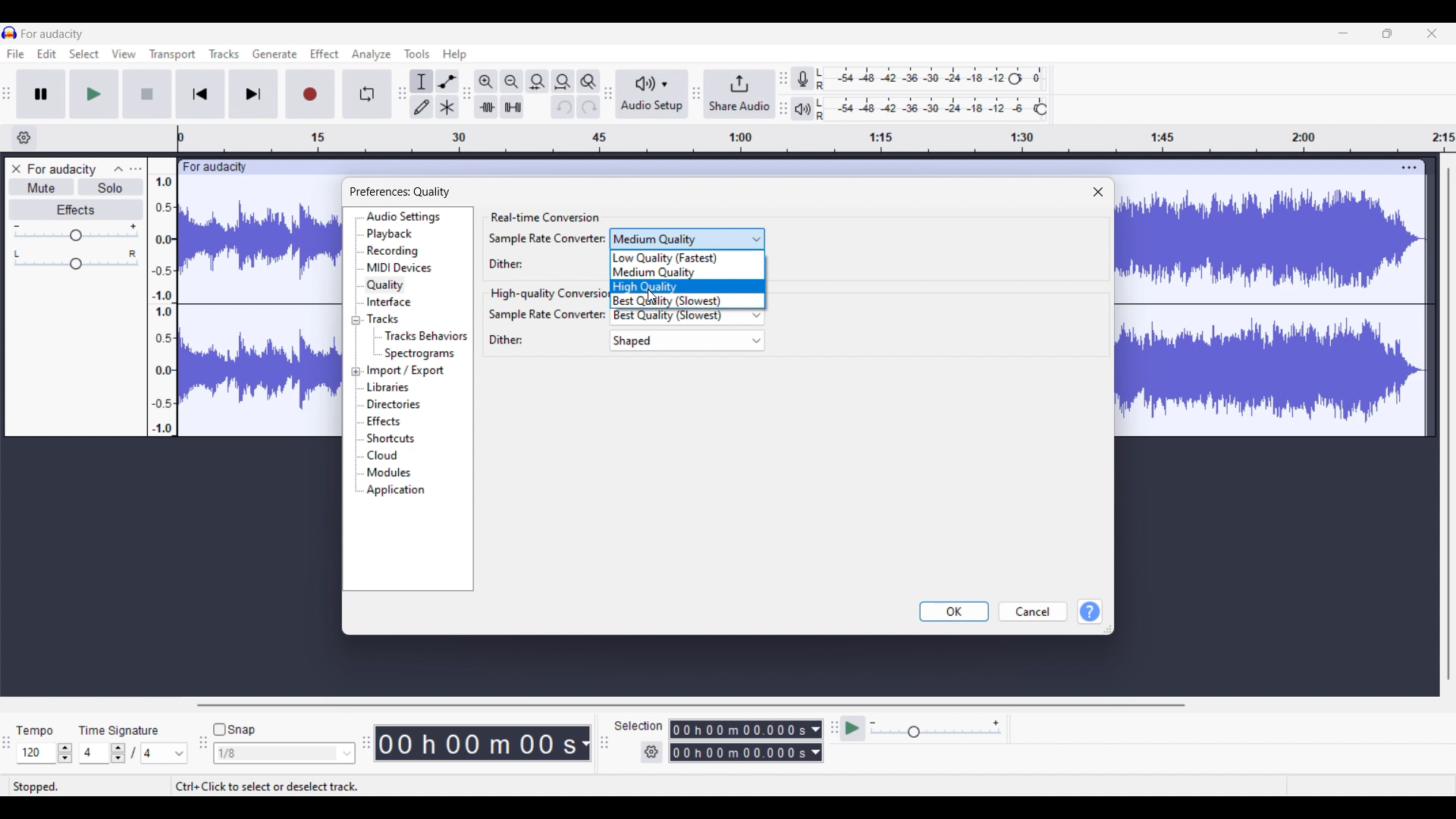 Image resolution: width=1456 pixels, height=819 pixels. What do you see at coordinates (237, 730) in the screenshot?
I see `Snap toggle` at bounding box center [237, 730].